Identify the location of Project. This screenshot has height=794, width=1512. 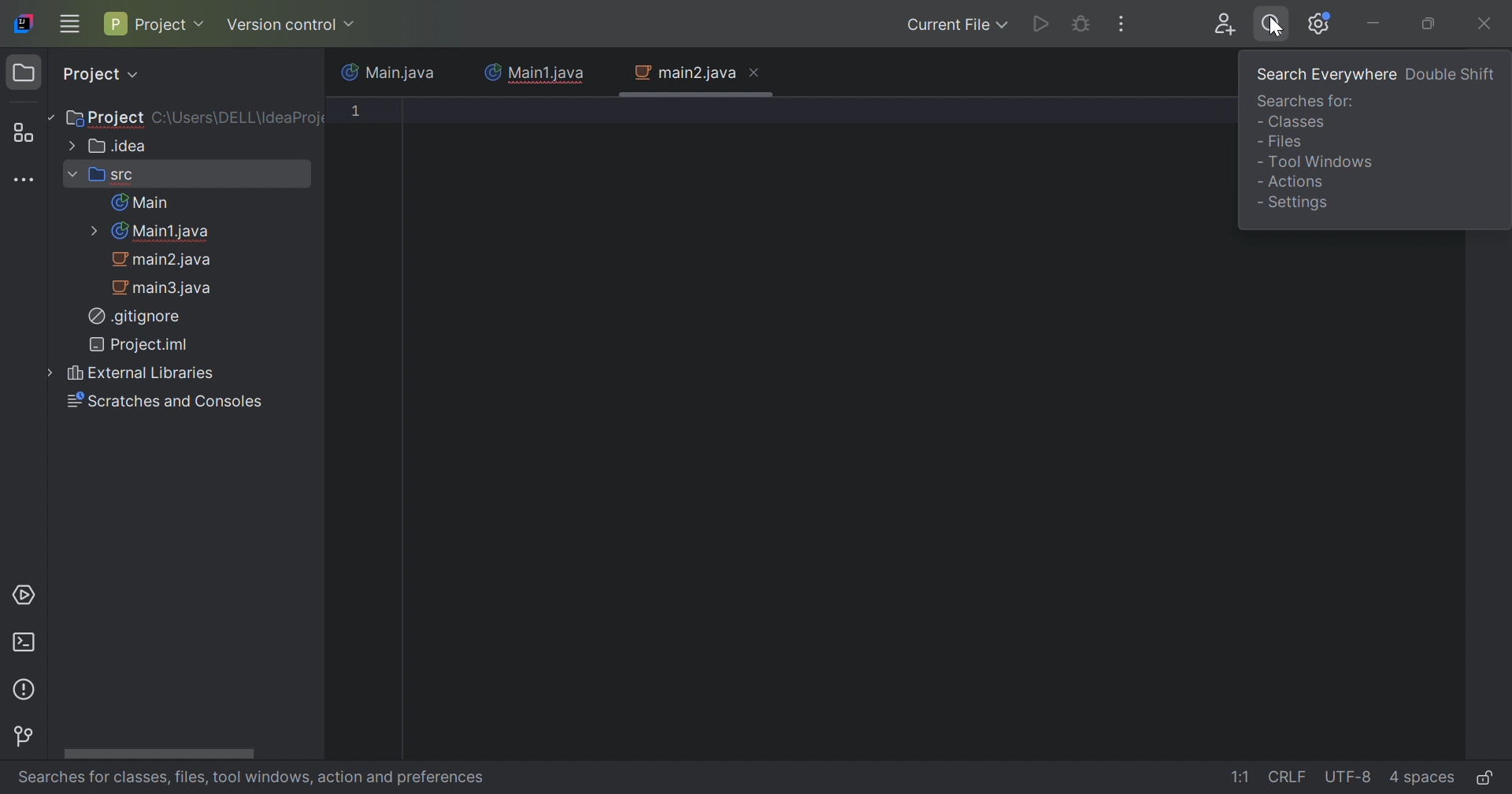
(102, 75).